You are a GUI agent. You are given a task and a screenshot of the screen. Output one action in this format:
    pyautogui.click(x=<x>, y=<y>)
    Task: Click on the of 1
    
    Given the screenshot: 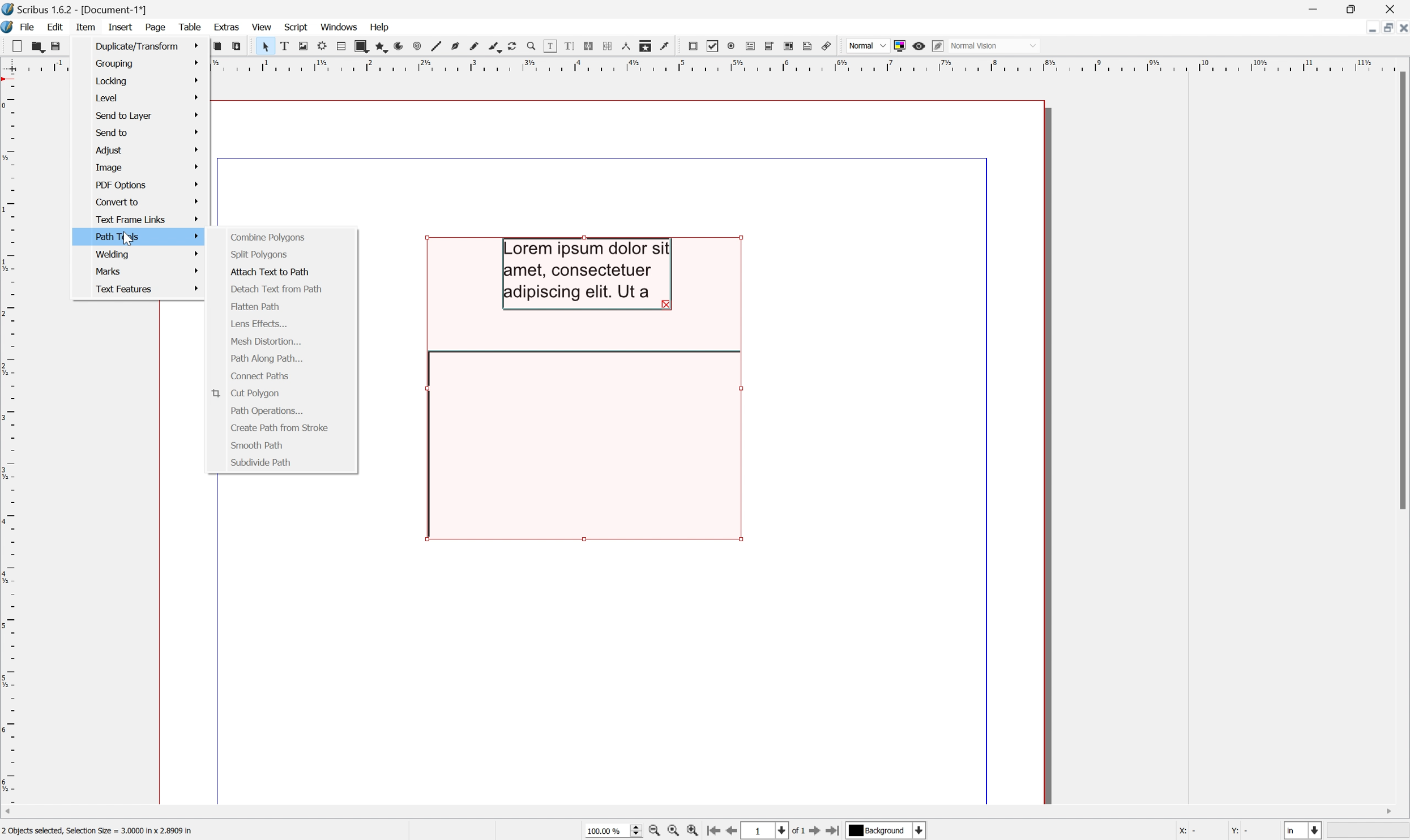 What is the action you would take?
    pyautogui.click(x=796, y=832)
    